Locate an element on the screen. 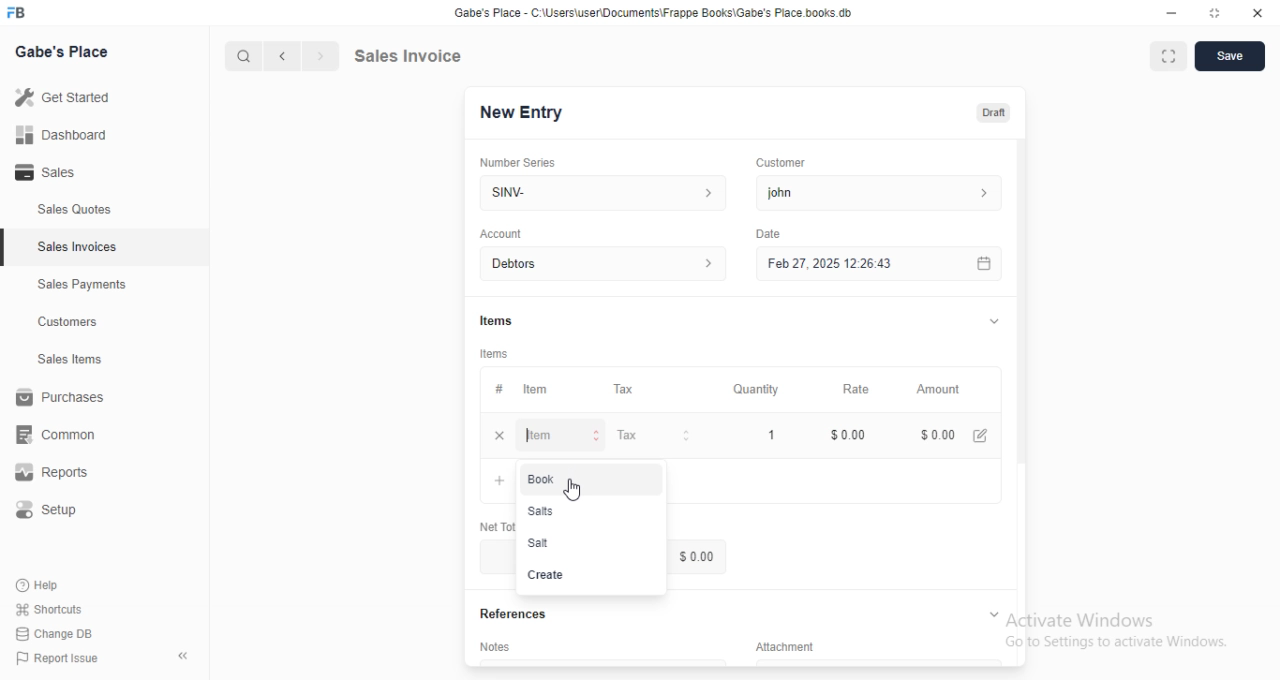  References is located at coordinates (510, 615).